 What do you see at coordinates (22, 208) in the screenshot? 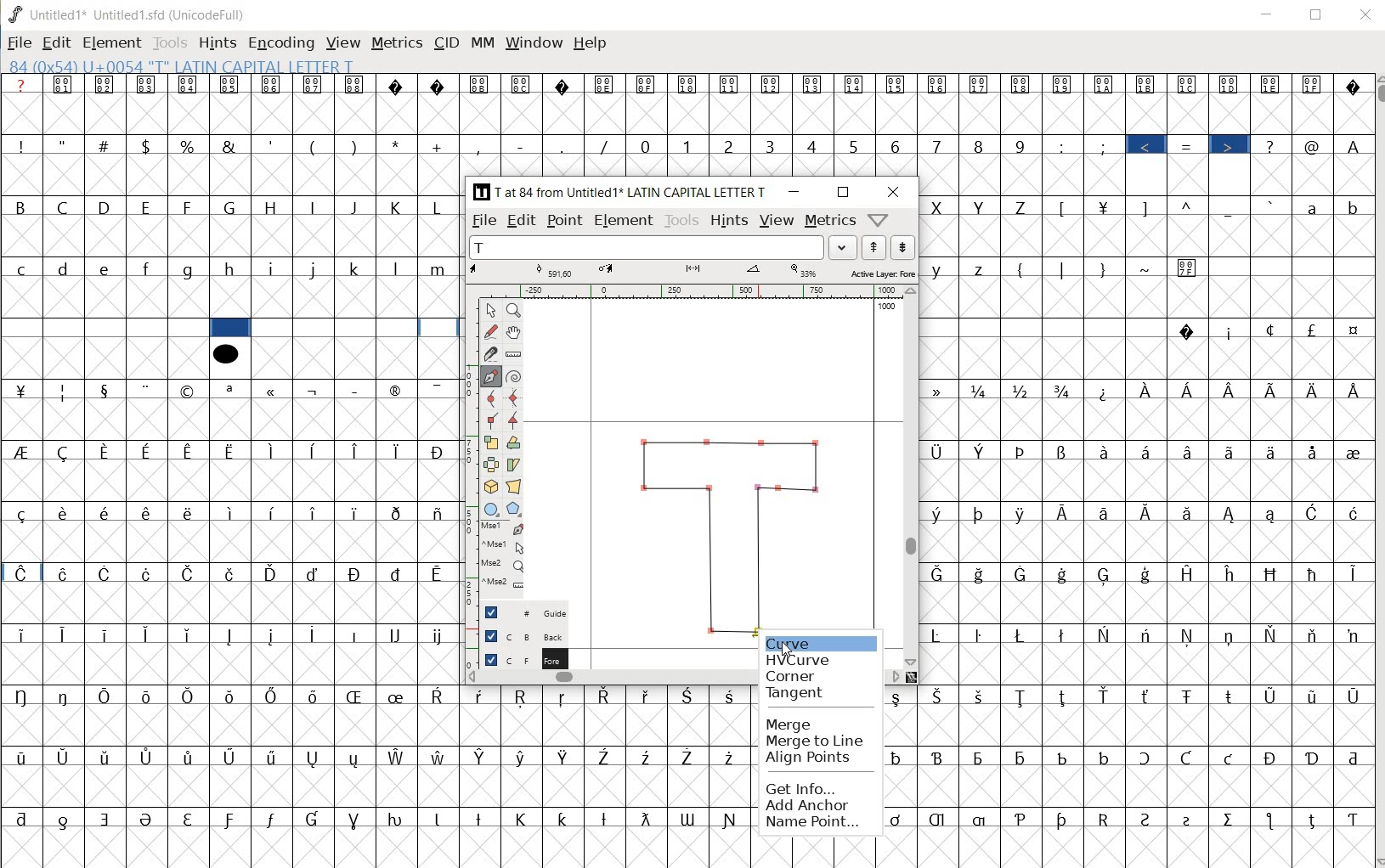
I see `B` at bounding box center [22, 208].